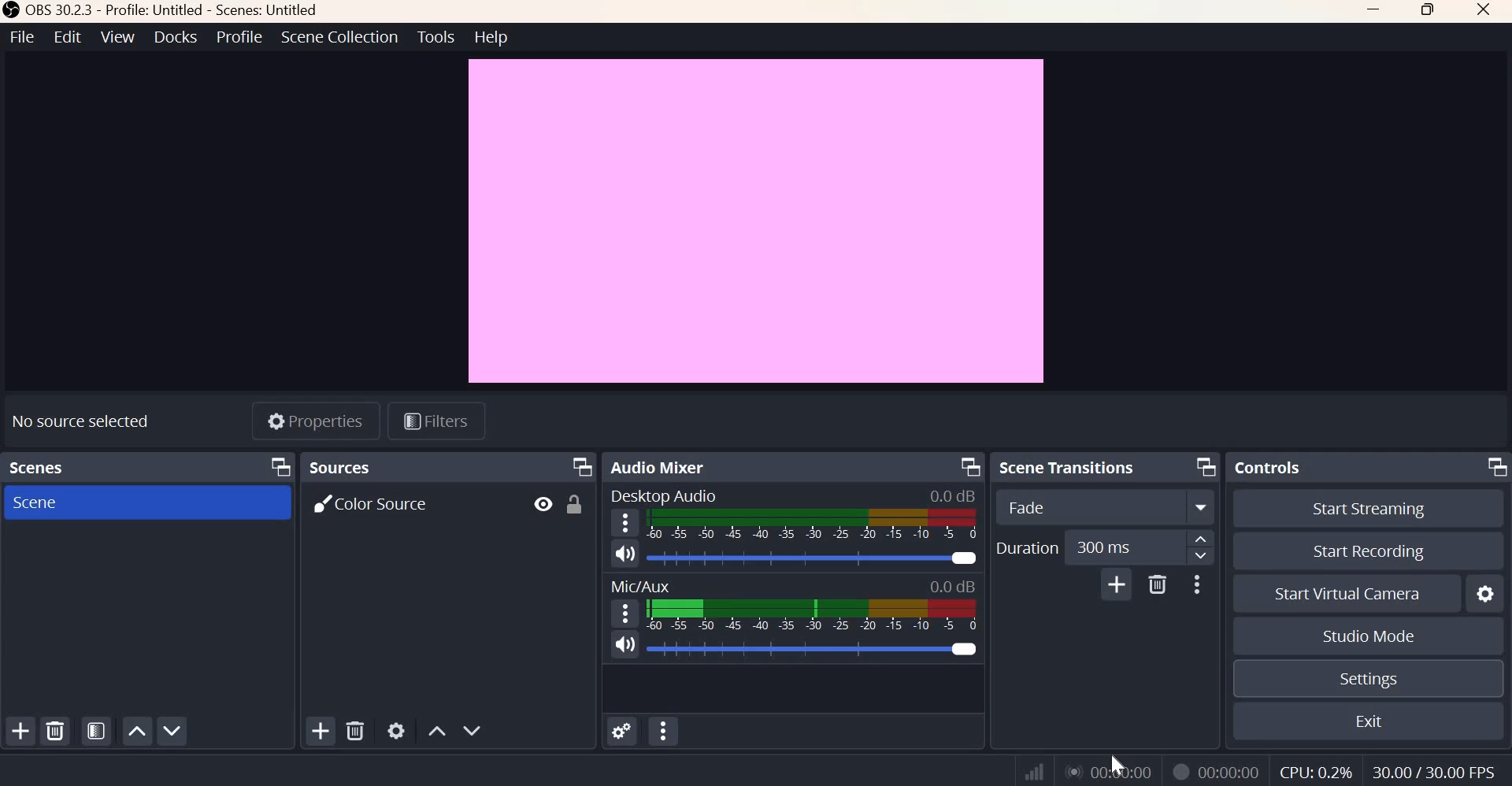 The image size is (1512, 786). I want to click on Open source properties, so click(397, 729).